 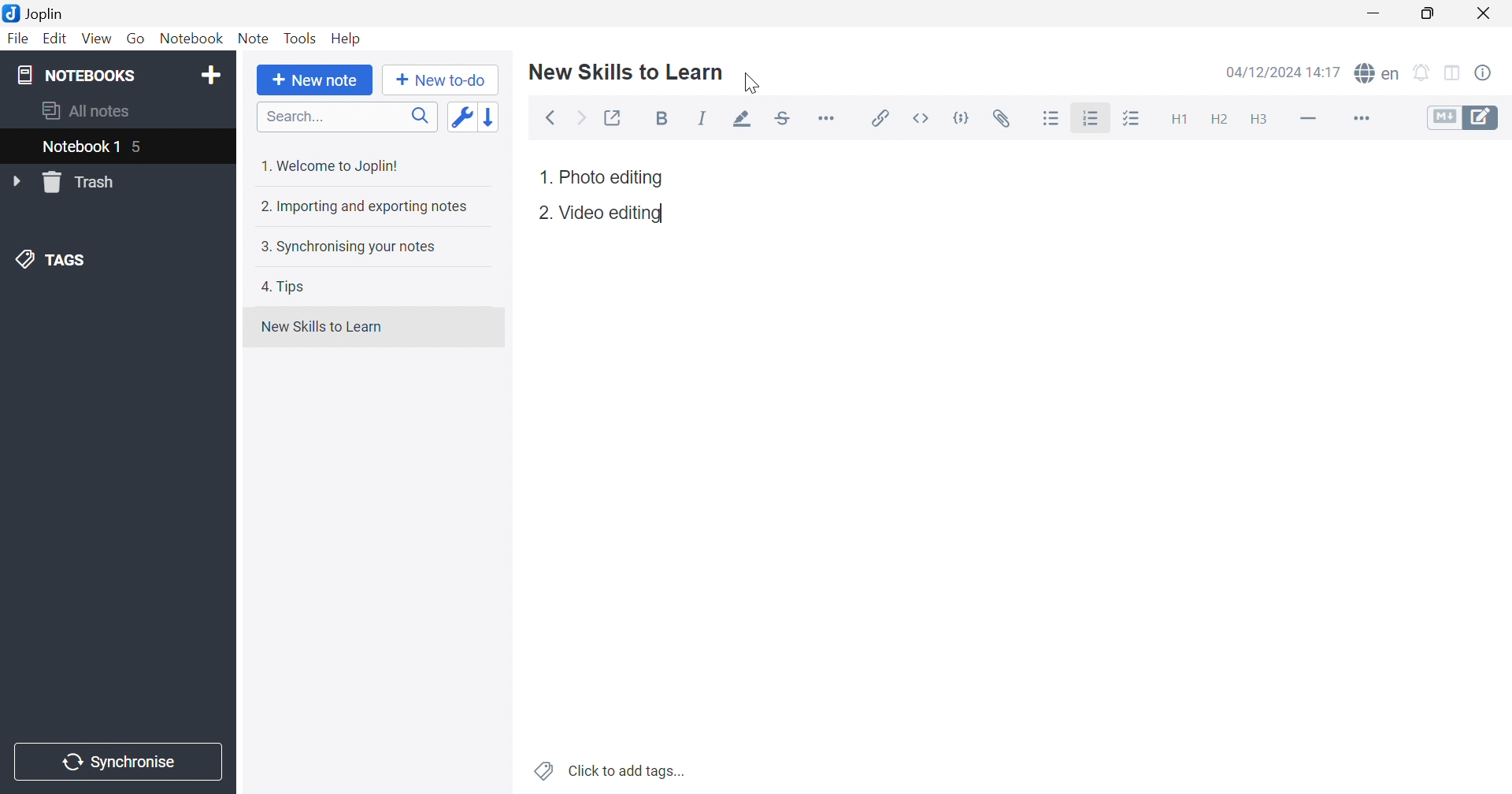 What do you see at coordinates (328, 165) in the screenshot?
I see `1. Welcome to Joplin` at bounding box center [328, 165].